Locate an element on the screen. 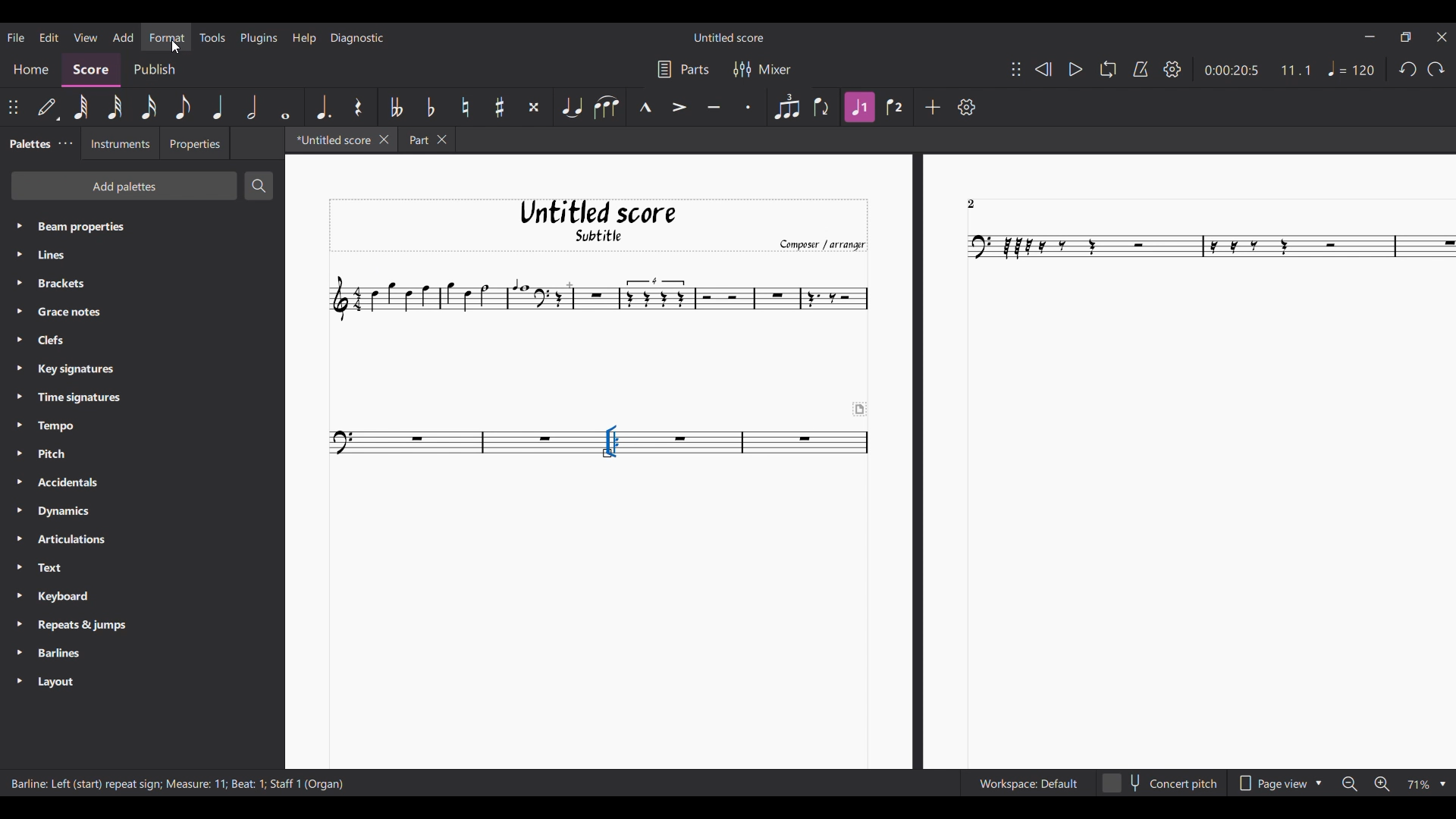  Current tab highlighted is located at coordinates (331, 140).